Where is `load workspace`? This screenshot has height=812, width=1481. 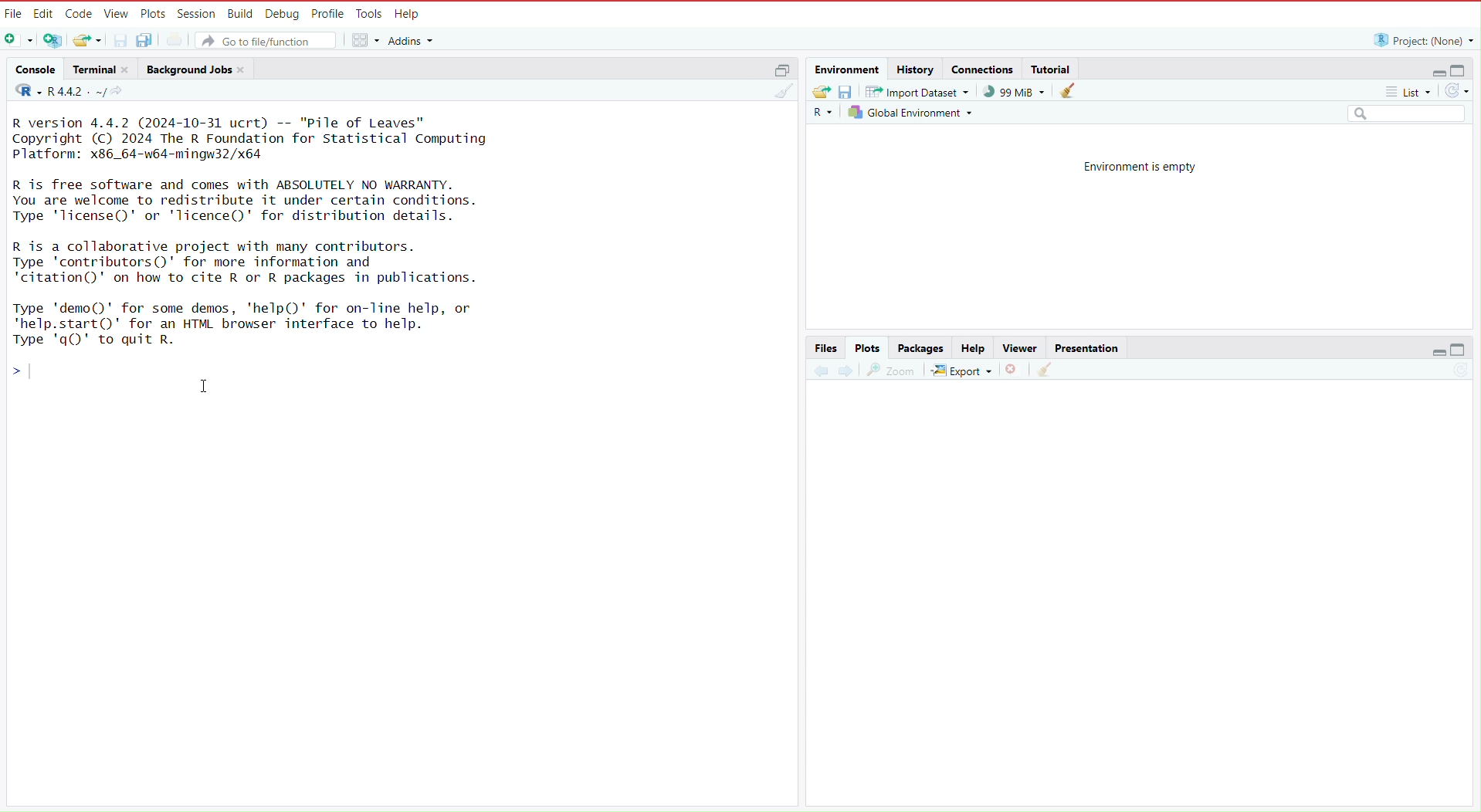
load workspace is located at coordinates (819, 92).